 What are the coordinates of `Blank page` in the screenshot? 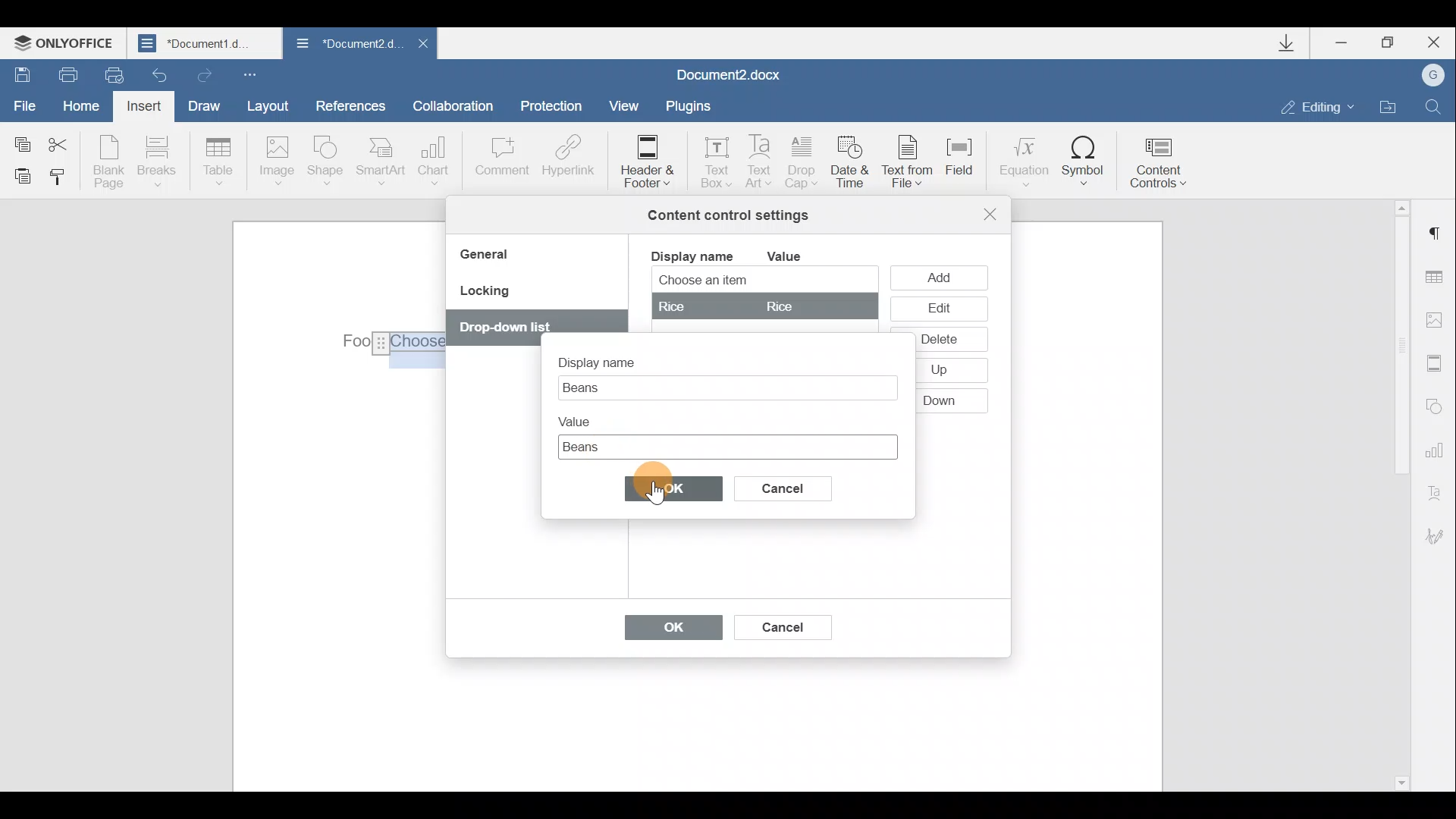 It's located at (108, 162).